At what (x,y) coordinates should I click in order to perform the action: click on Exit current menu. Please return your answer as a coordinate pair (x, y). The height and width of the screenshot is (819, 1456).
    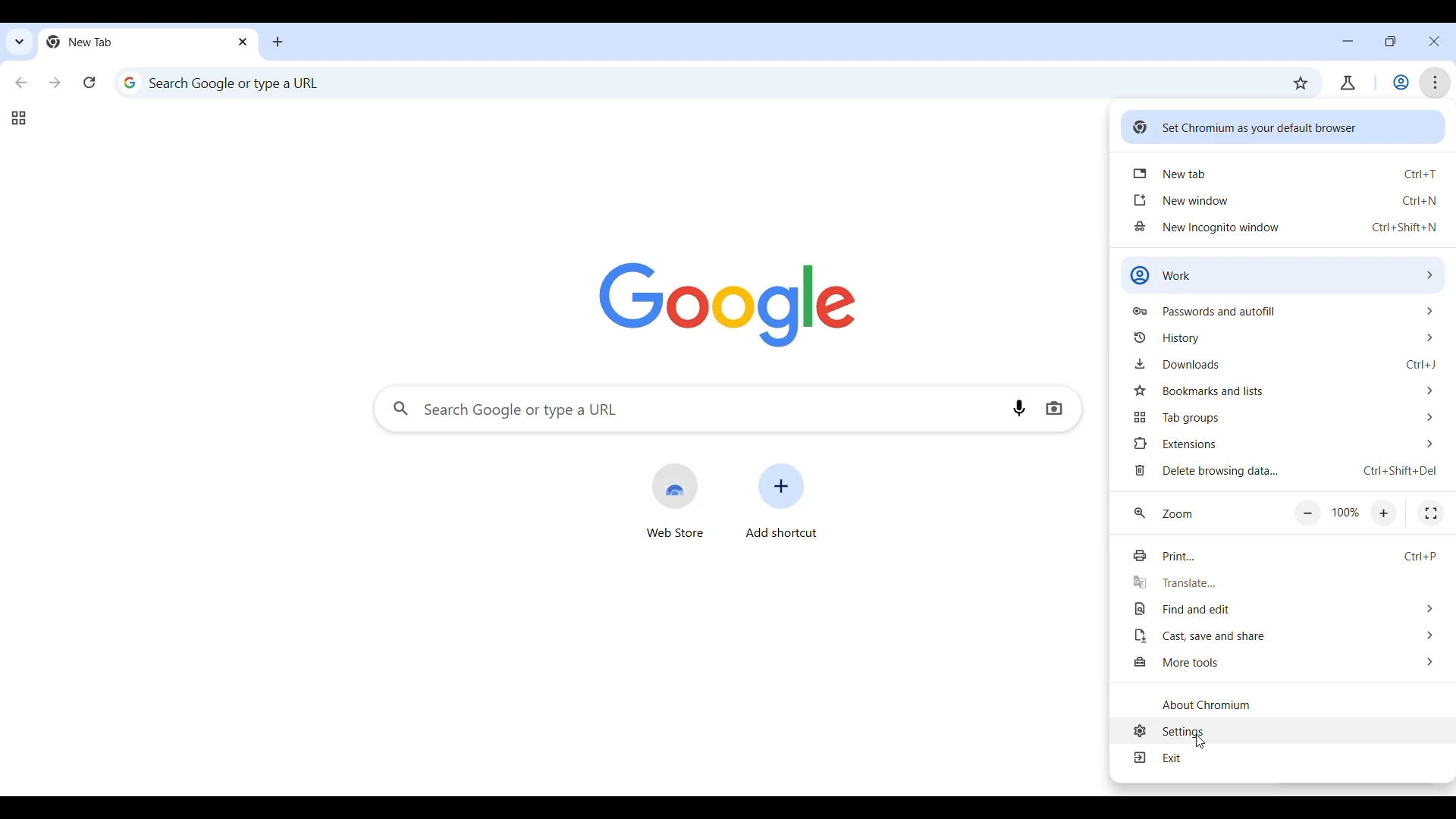
    Looking at the image, I should click on (1289, 758).